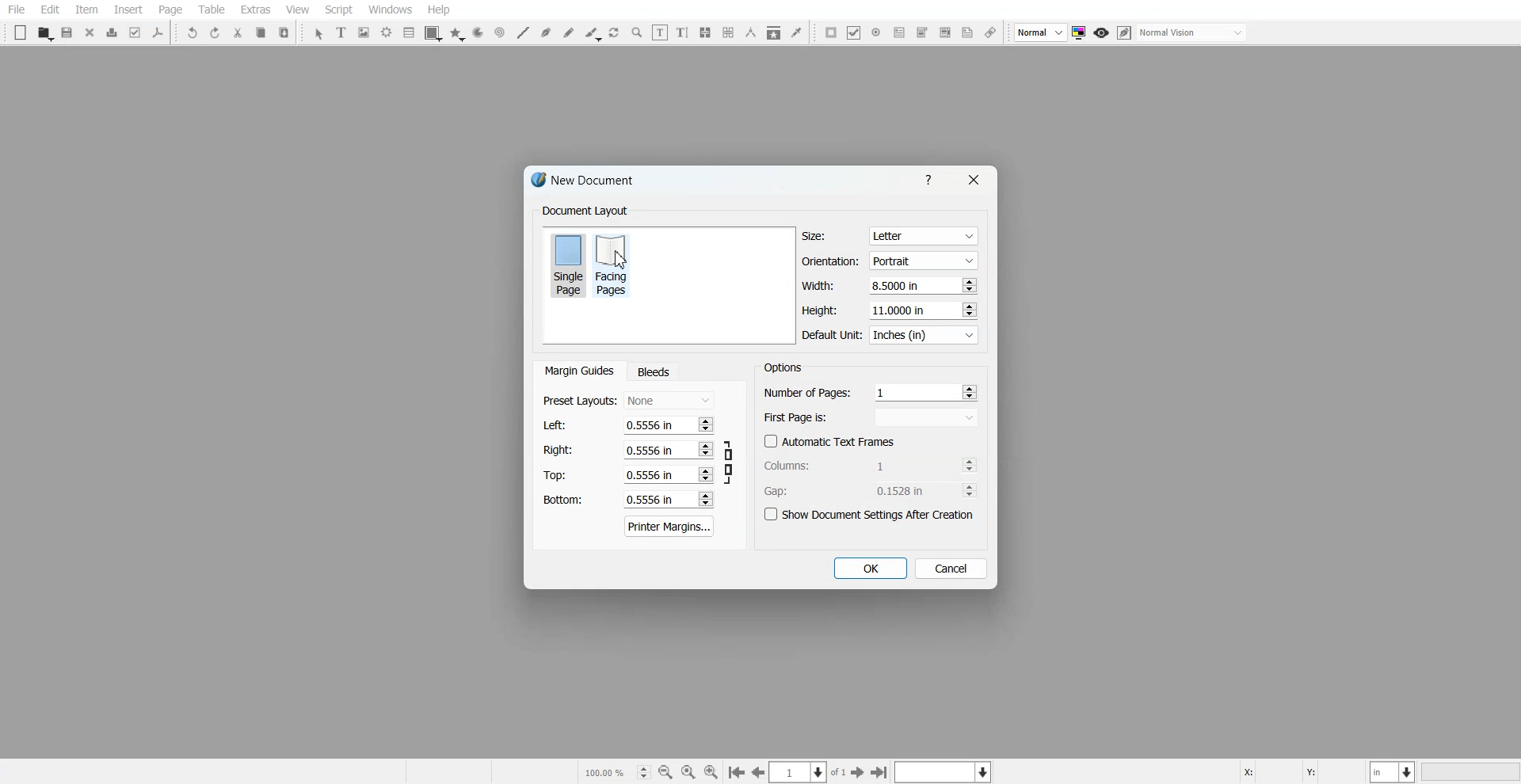 Image resolution: width=1521 pixels, height=784 pixels. What do you see at coordinates (158, 32) in the screenshot?
I see `Save as PDF` at bounding box center [158, 32].